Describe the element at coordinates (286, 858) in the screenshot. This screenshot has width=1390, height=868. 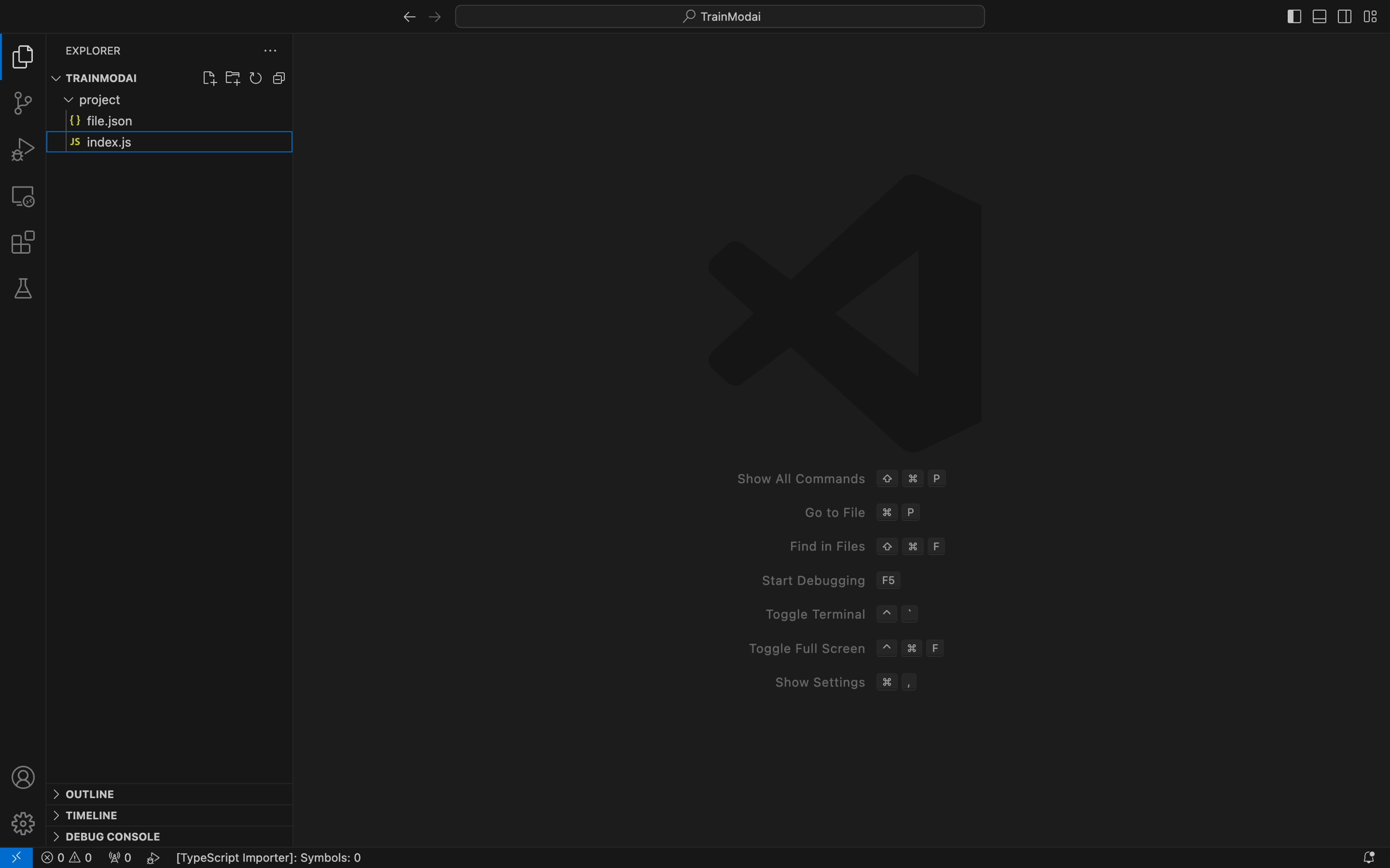
I see `Typescript` at that location.